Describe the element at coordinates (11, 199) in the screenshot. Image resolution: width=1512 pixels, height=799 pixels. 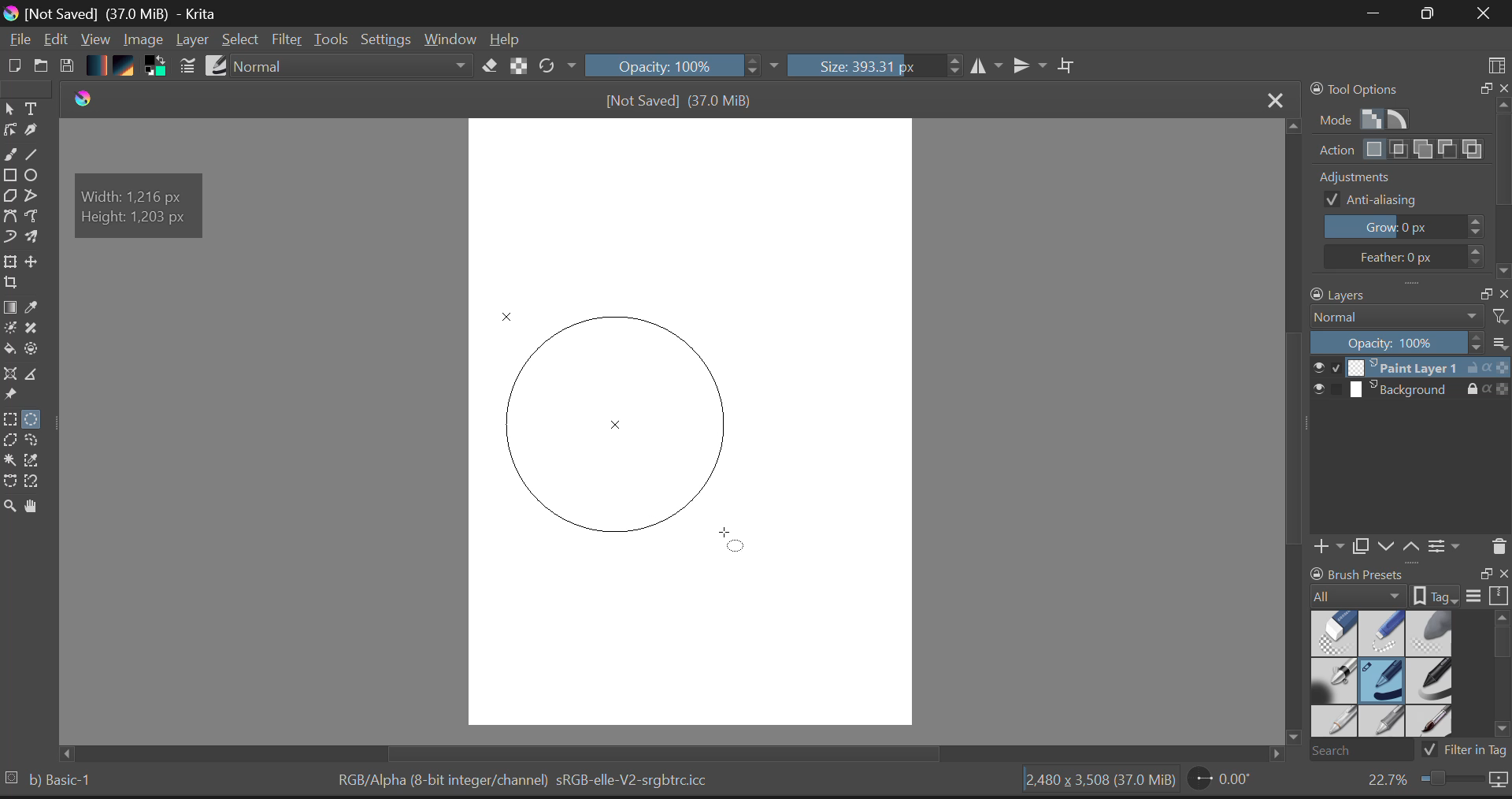
I see `Polygon` at that location.